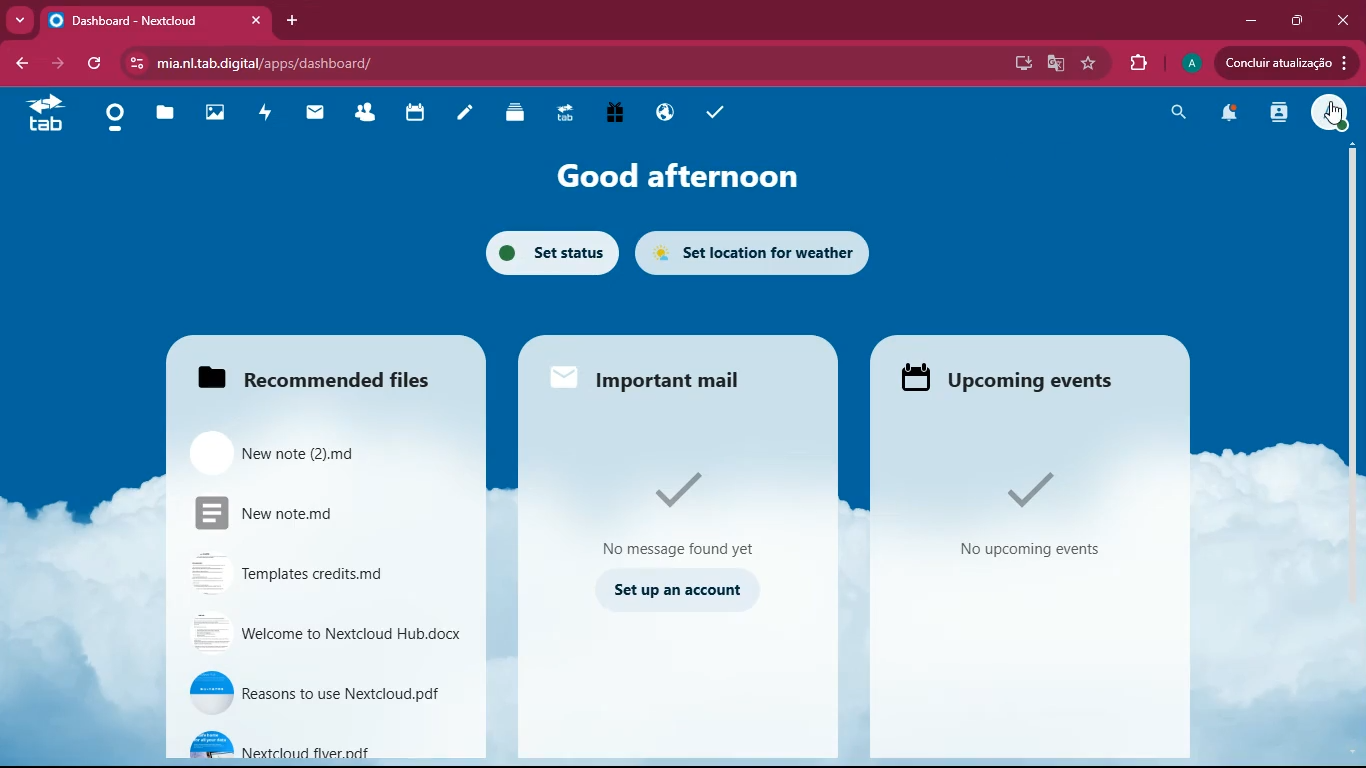  I want to click on gift, so click(610, 115).